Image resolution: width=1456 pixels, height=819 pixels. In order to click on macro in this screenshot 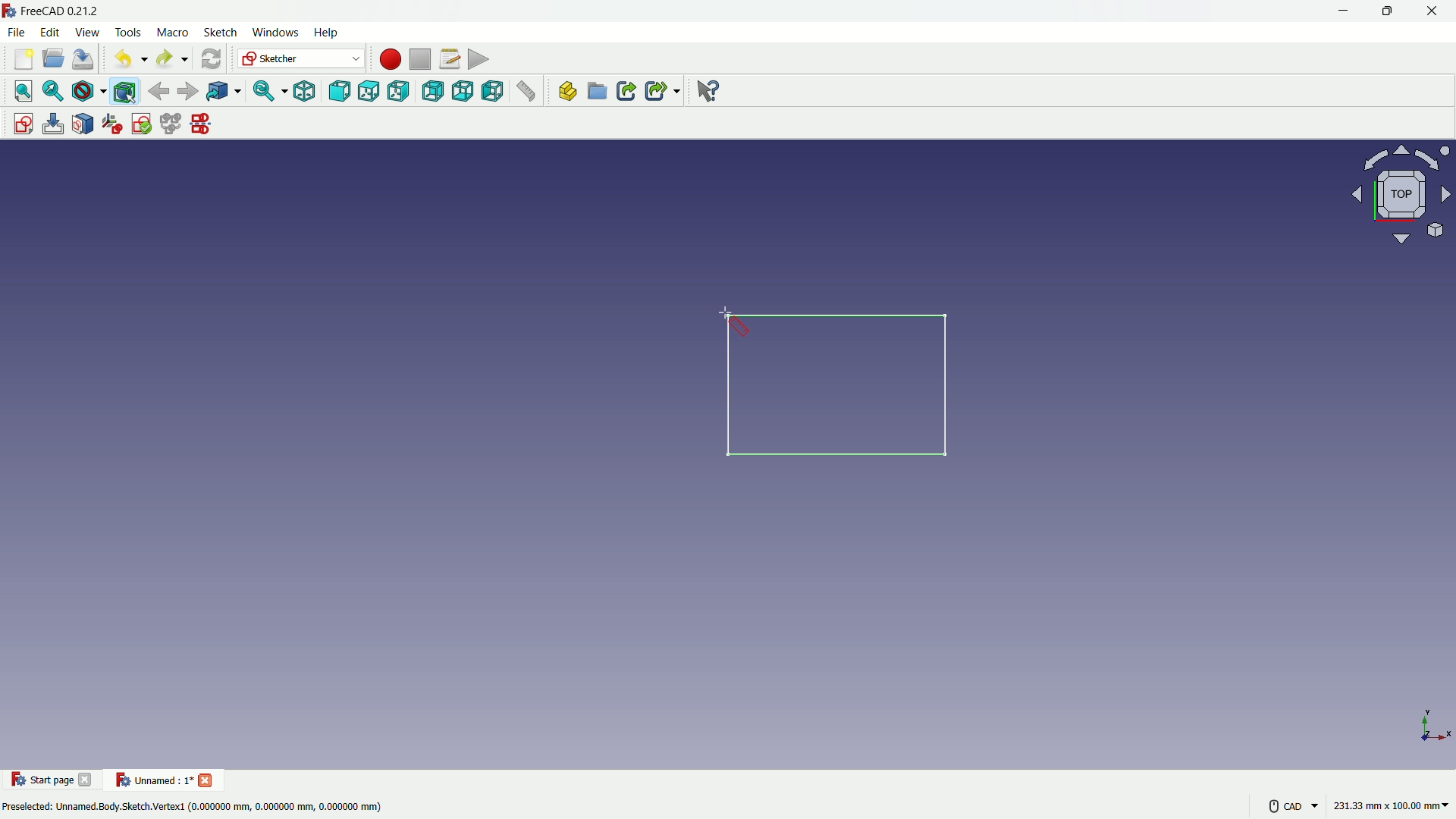, I will do `click(171, 33)`.